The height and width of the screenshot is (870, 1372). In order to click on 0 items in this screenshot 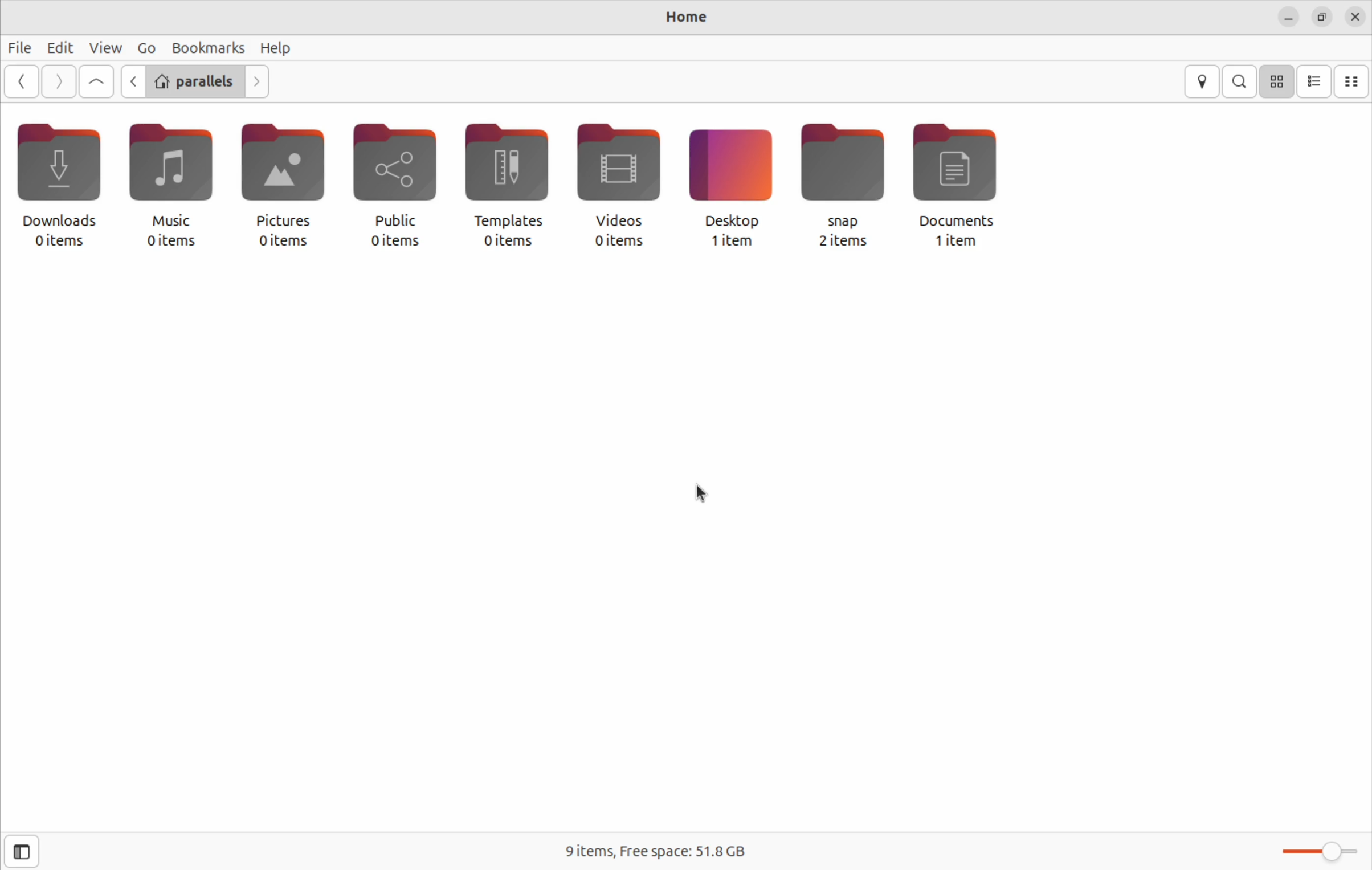, I will do `click(171, 242)`.